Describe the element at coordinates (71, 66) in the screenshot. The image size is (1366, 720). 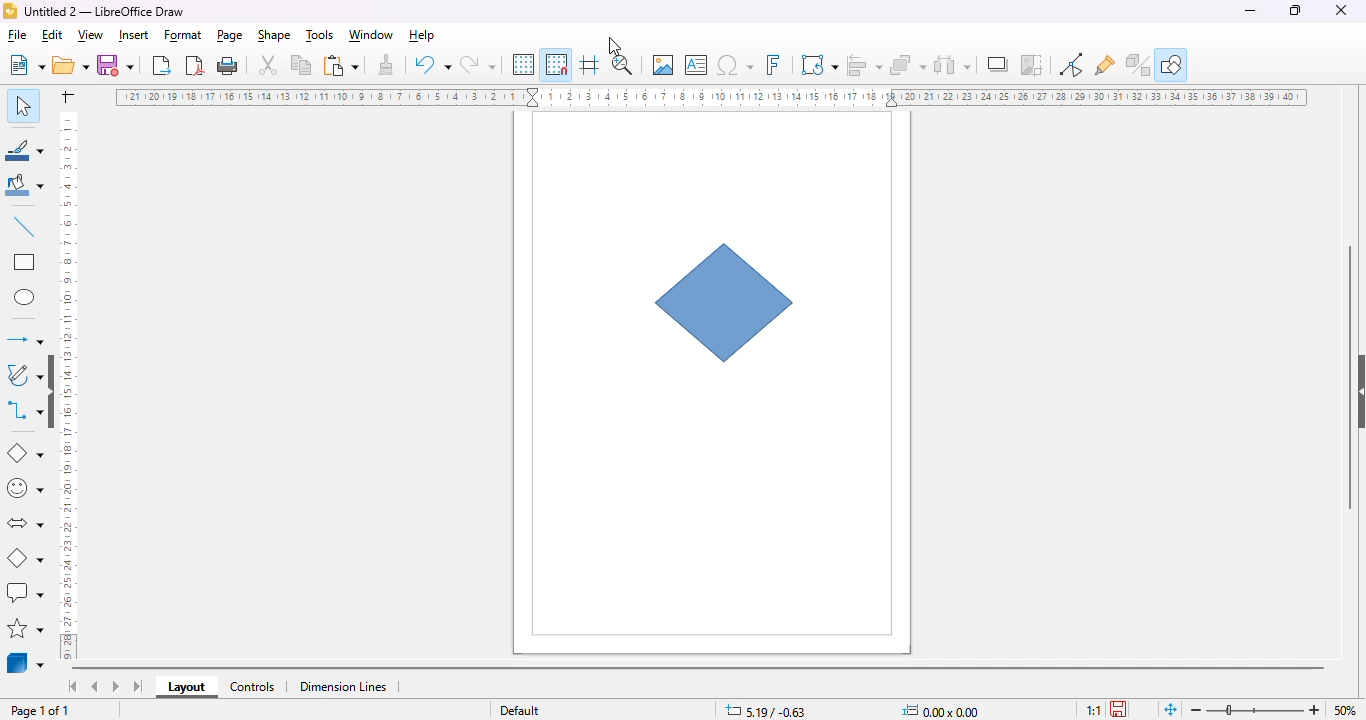
I see `open` at that location.